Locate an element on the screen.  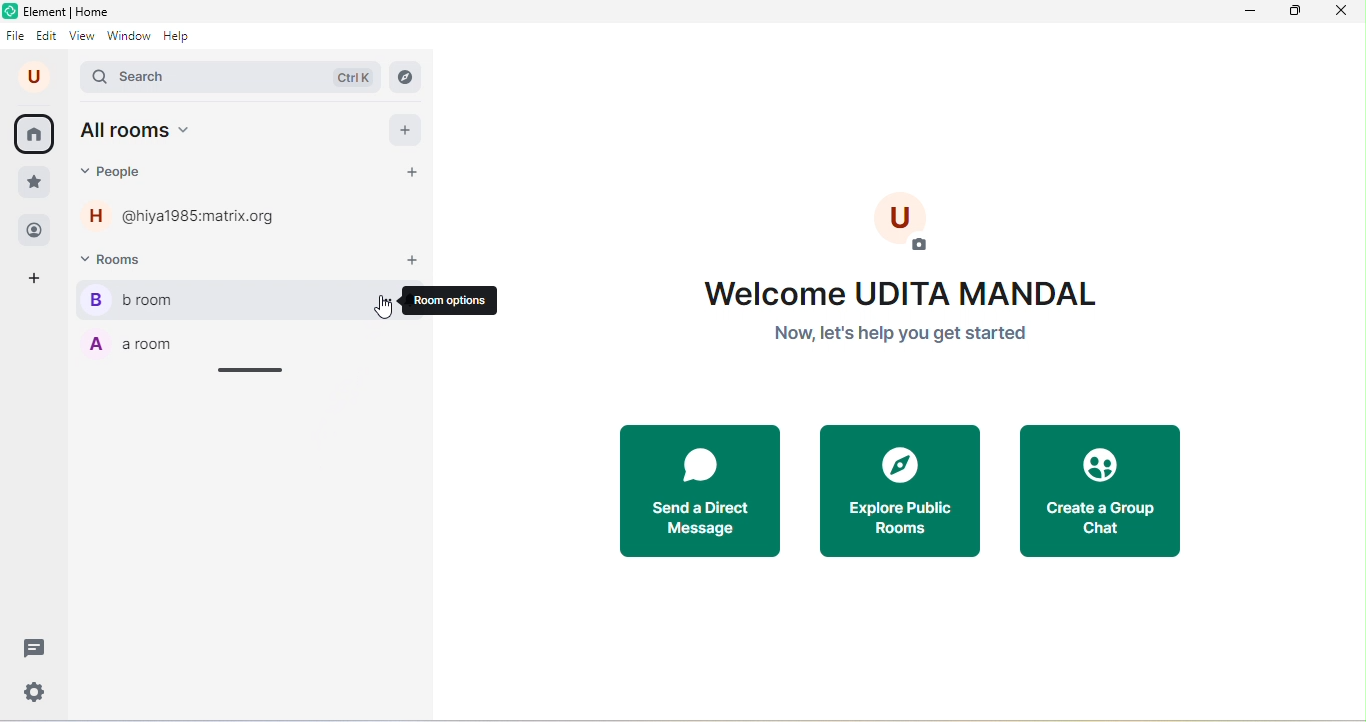
threads is located at coordinates (38, 648).